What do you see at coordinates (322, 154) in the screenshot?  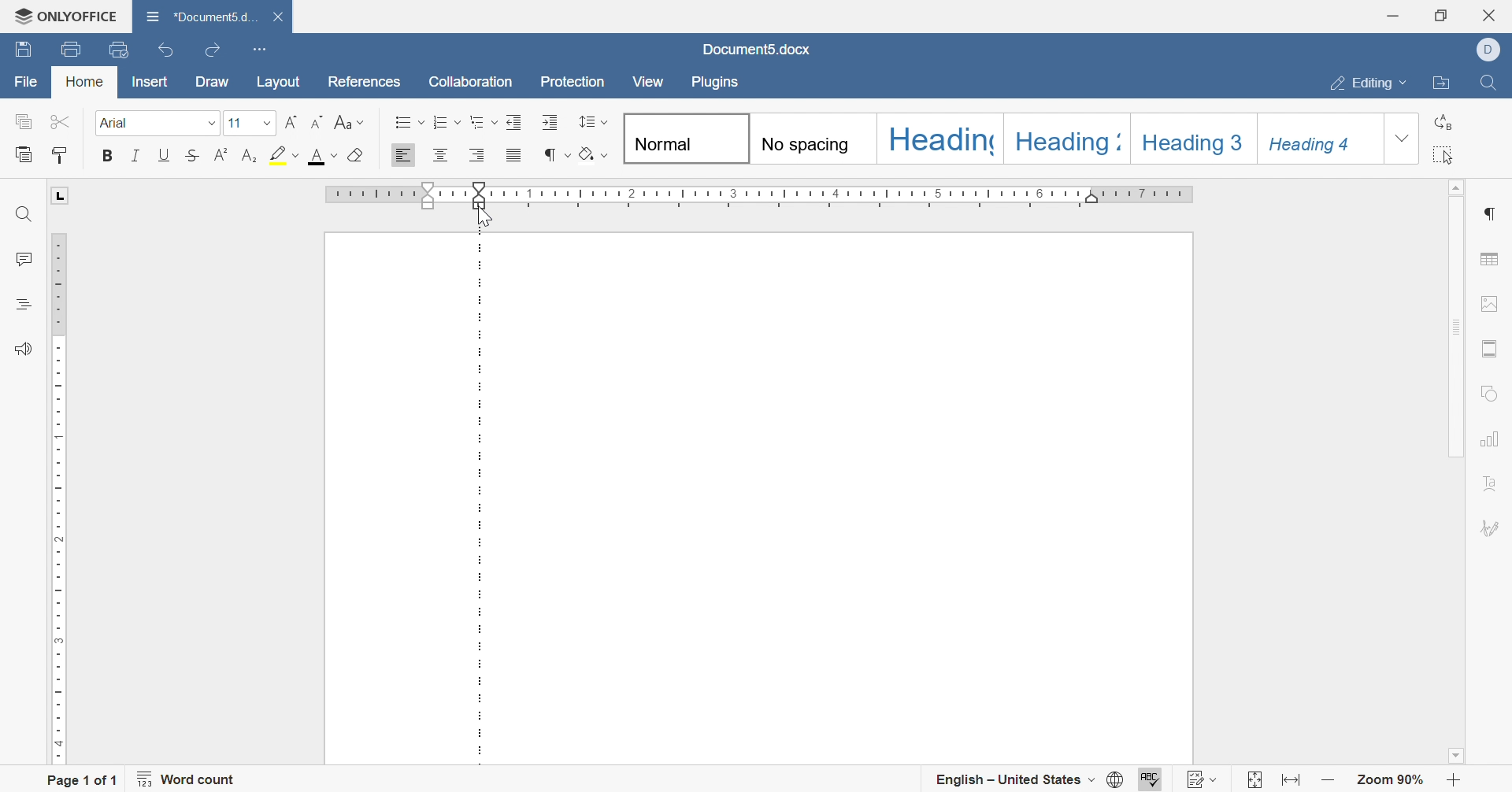 I see `font color` at bounding box center [322, 154].